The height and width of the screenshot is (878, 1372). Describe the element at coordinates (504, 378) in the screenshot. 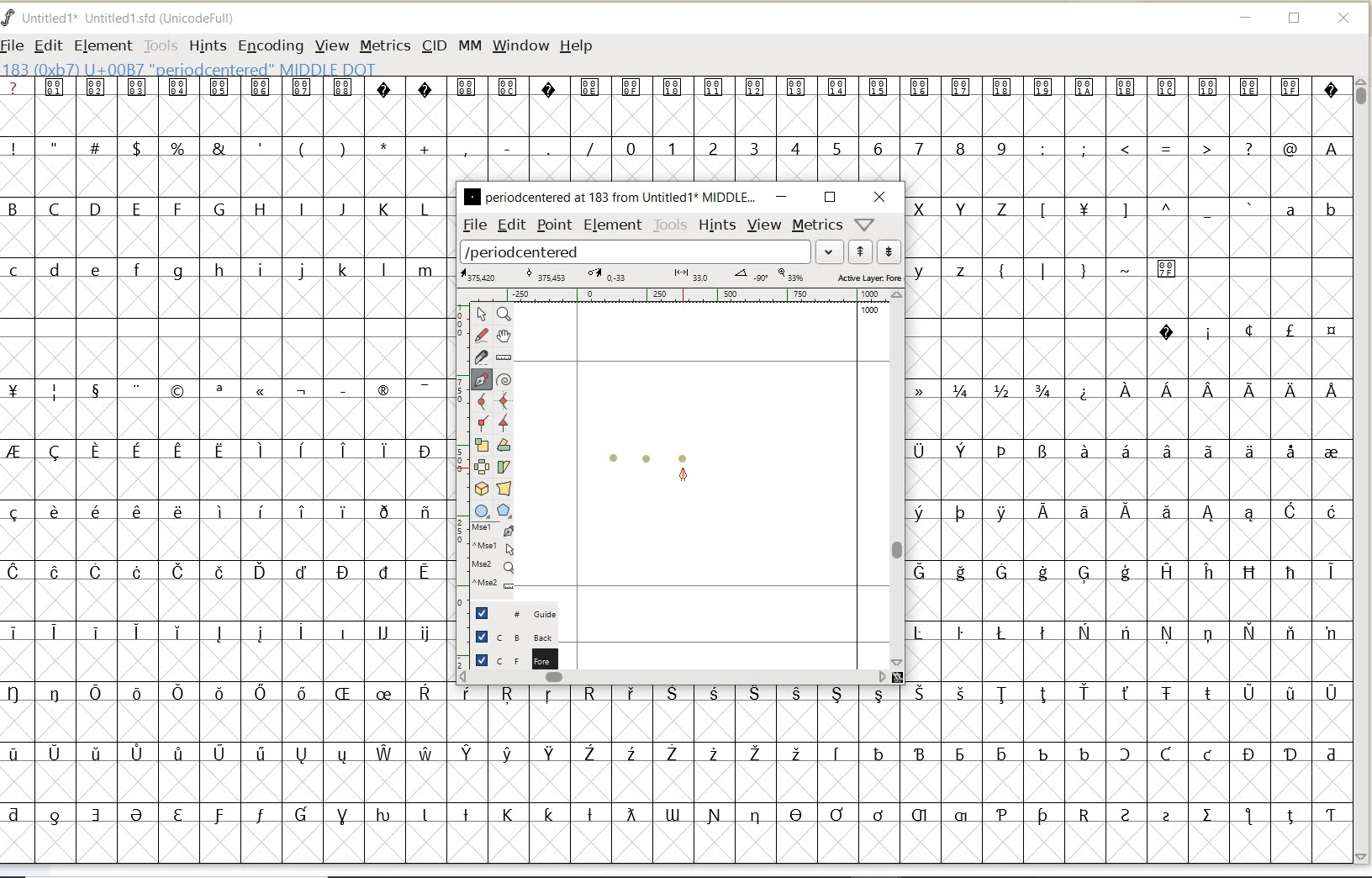

I see `change whether spiro is active or not` at that location.